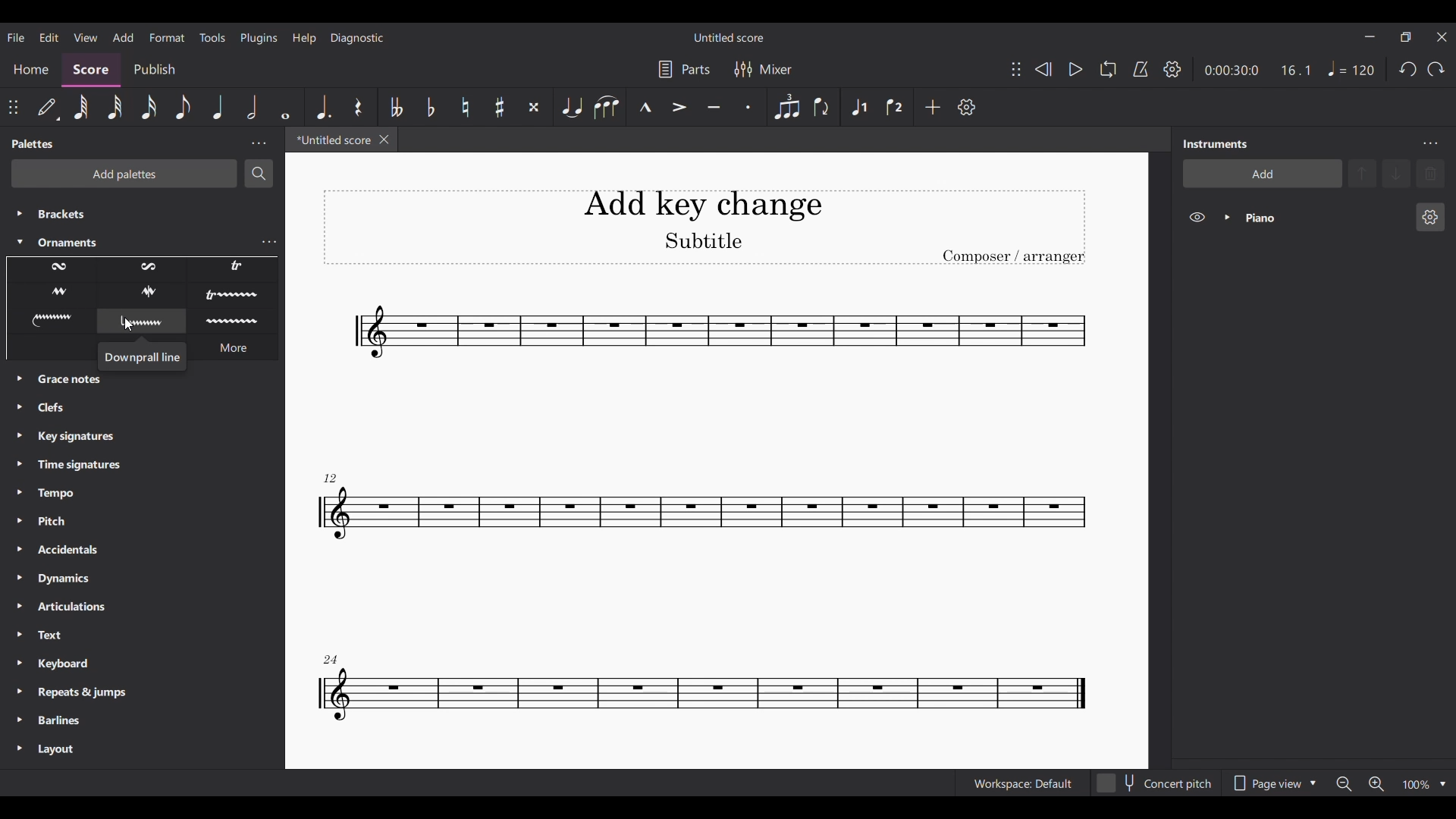  What do you see at coordinates (895, 105) in the screenshot?
I see `Voice 2` at bounding box center [895, 105].